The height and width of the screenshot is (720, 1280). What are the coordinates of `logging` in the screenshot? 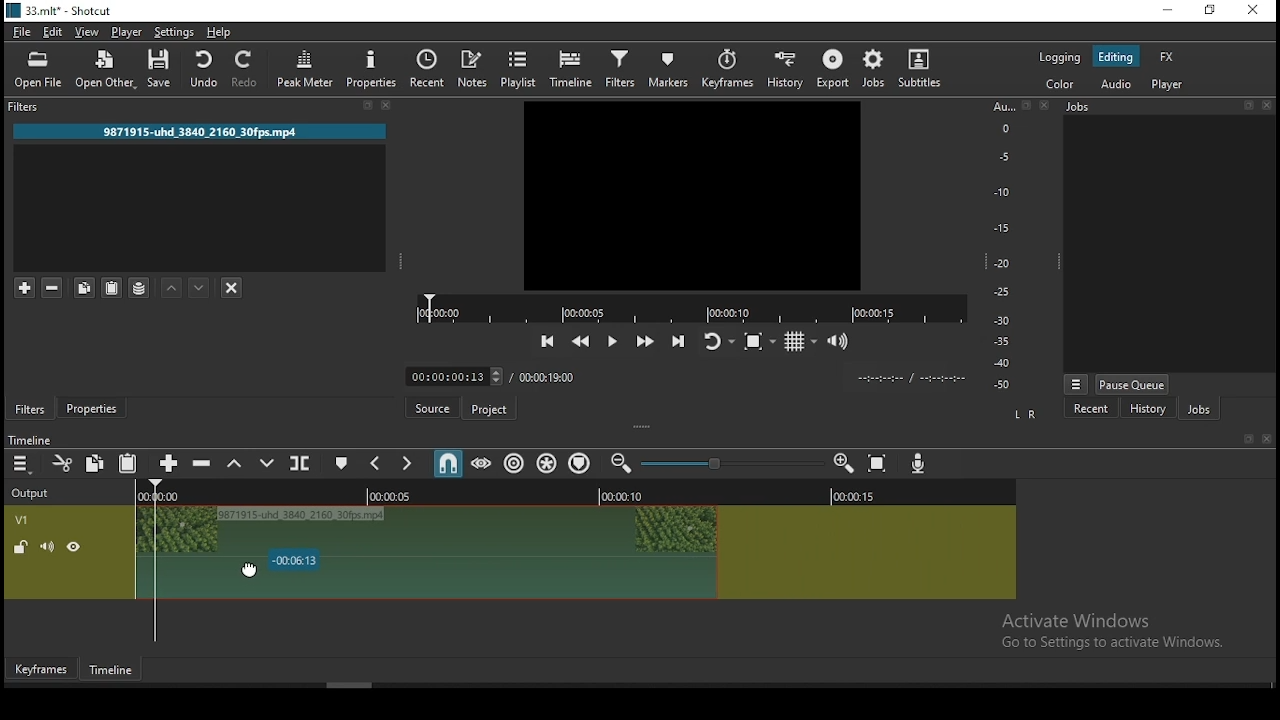 It's located at (1062, 59).